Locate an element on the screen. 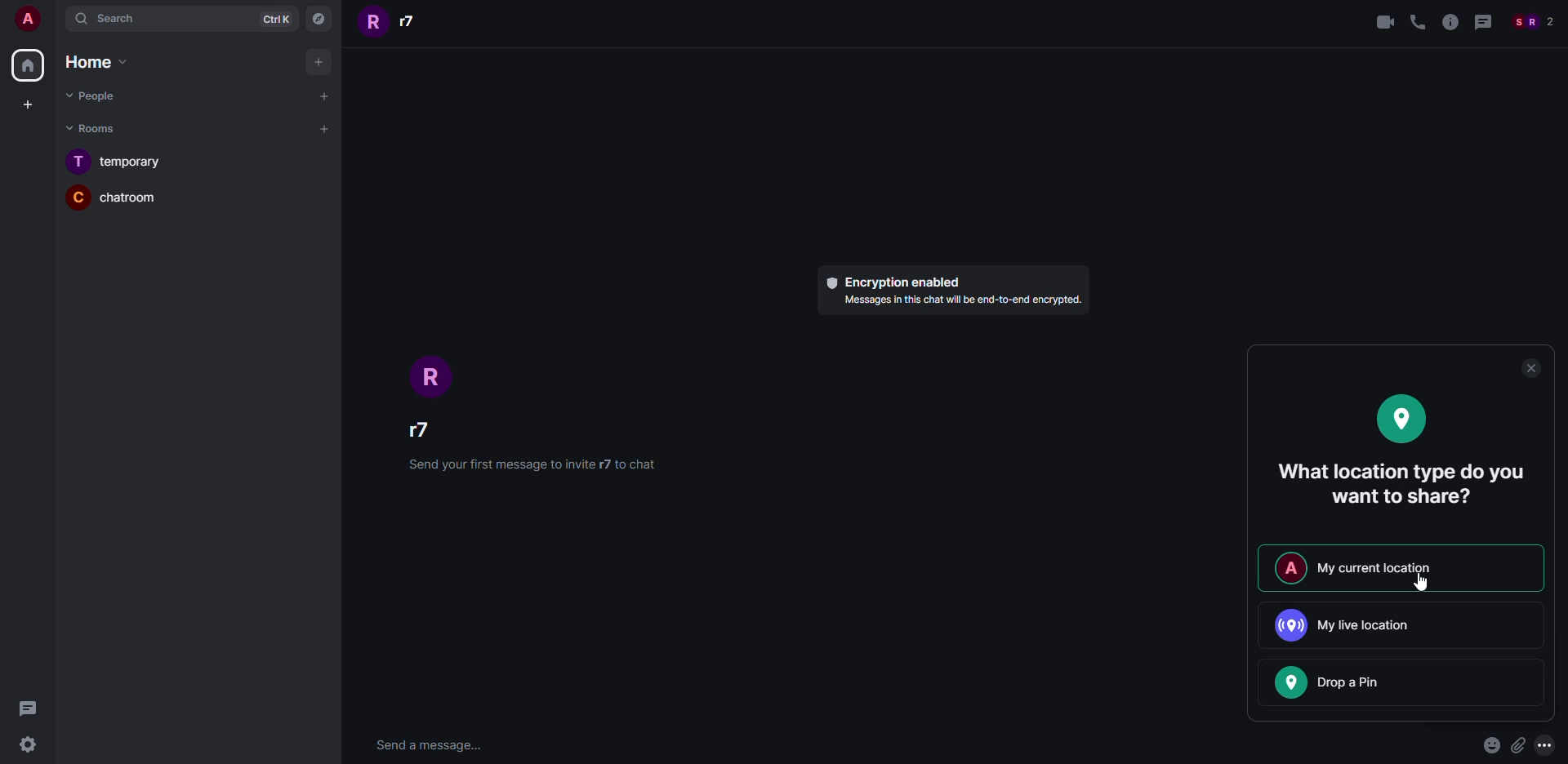  close is located at coordinates (1530, 368).